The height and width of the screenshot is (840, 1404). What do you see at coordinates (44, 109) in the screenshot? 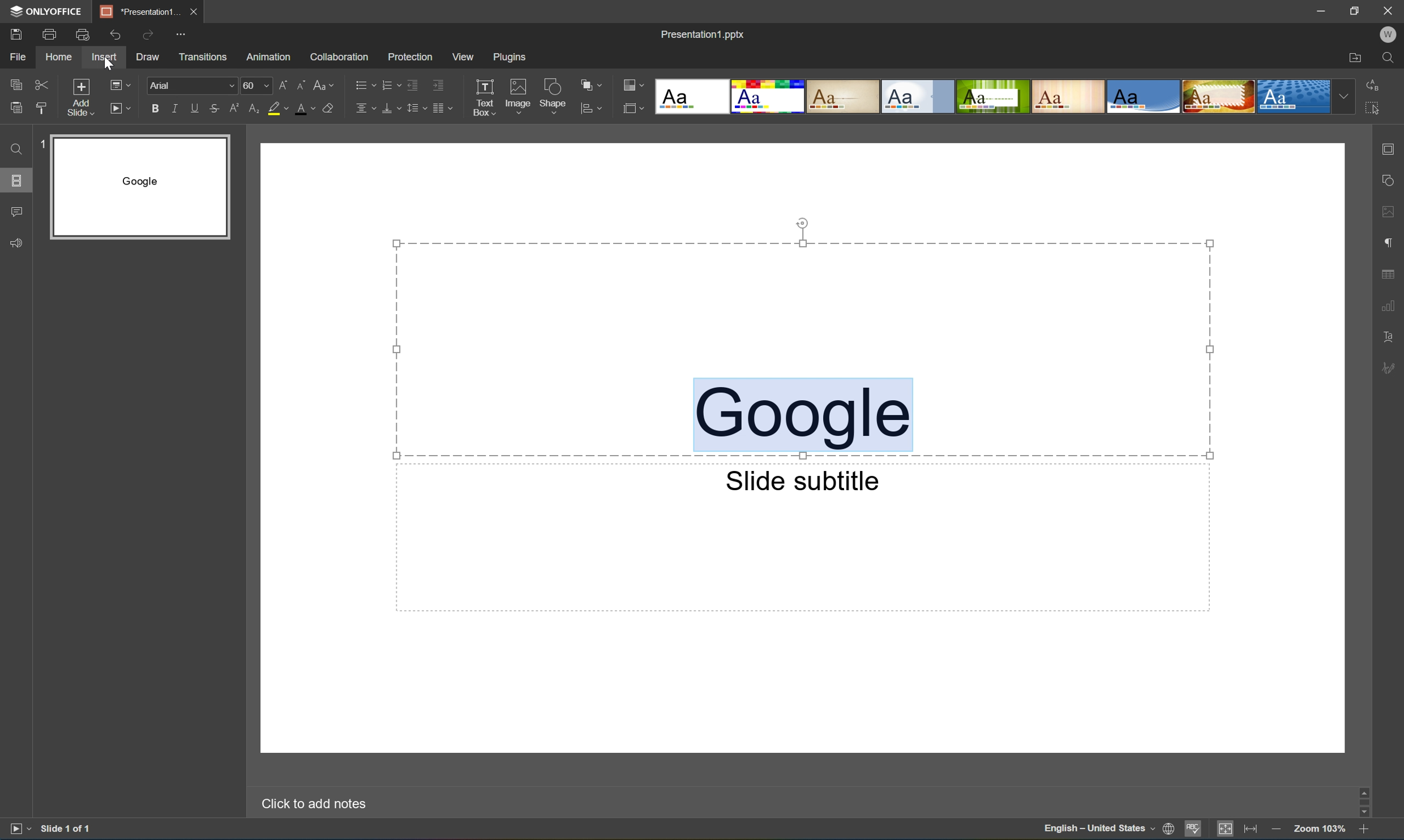
I see `Copy style` at bounding box center [44, 109].